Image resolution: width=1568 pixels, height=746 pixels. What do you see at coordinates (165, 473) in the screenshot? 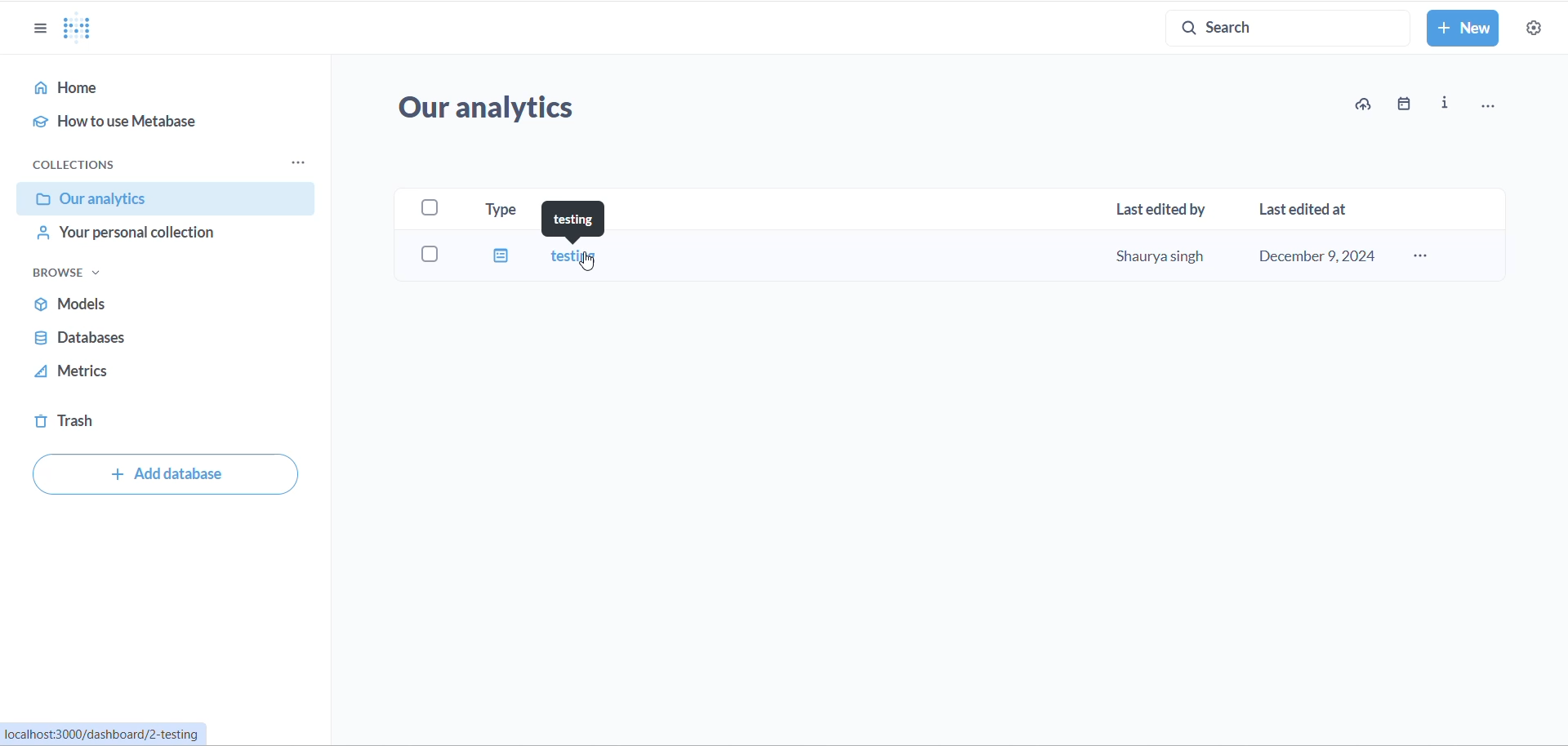
I see `add database` at bounding box center [165, 473].